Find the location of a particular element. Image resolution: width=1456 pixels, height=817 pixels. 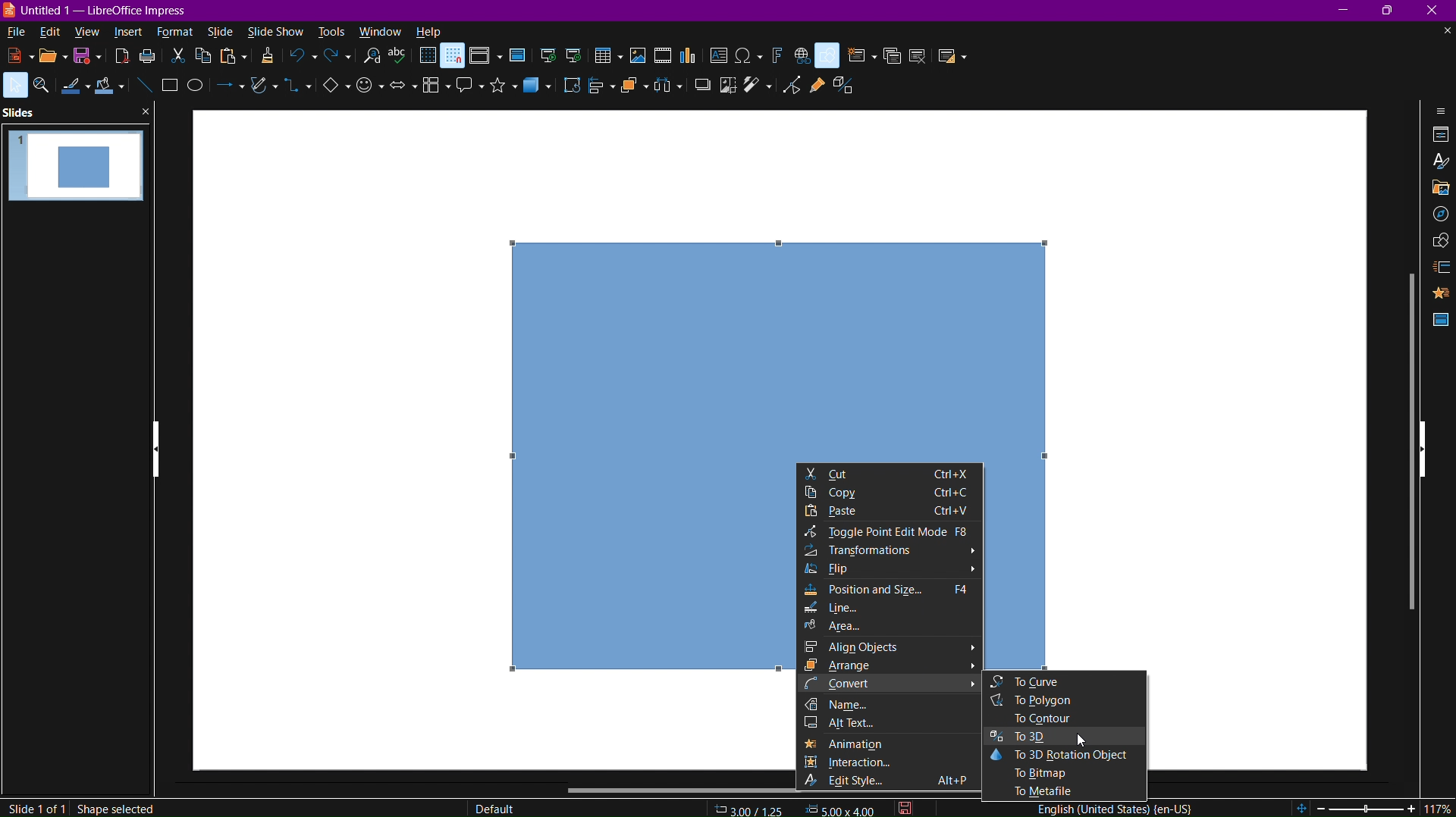

Display Grid is located at coordinates (427, 58).